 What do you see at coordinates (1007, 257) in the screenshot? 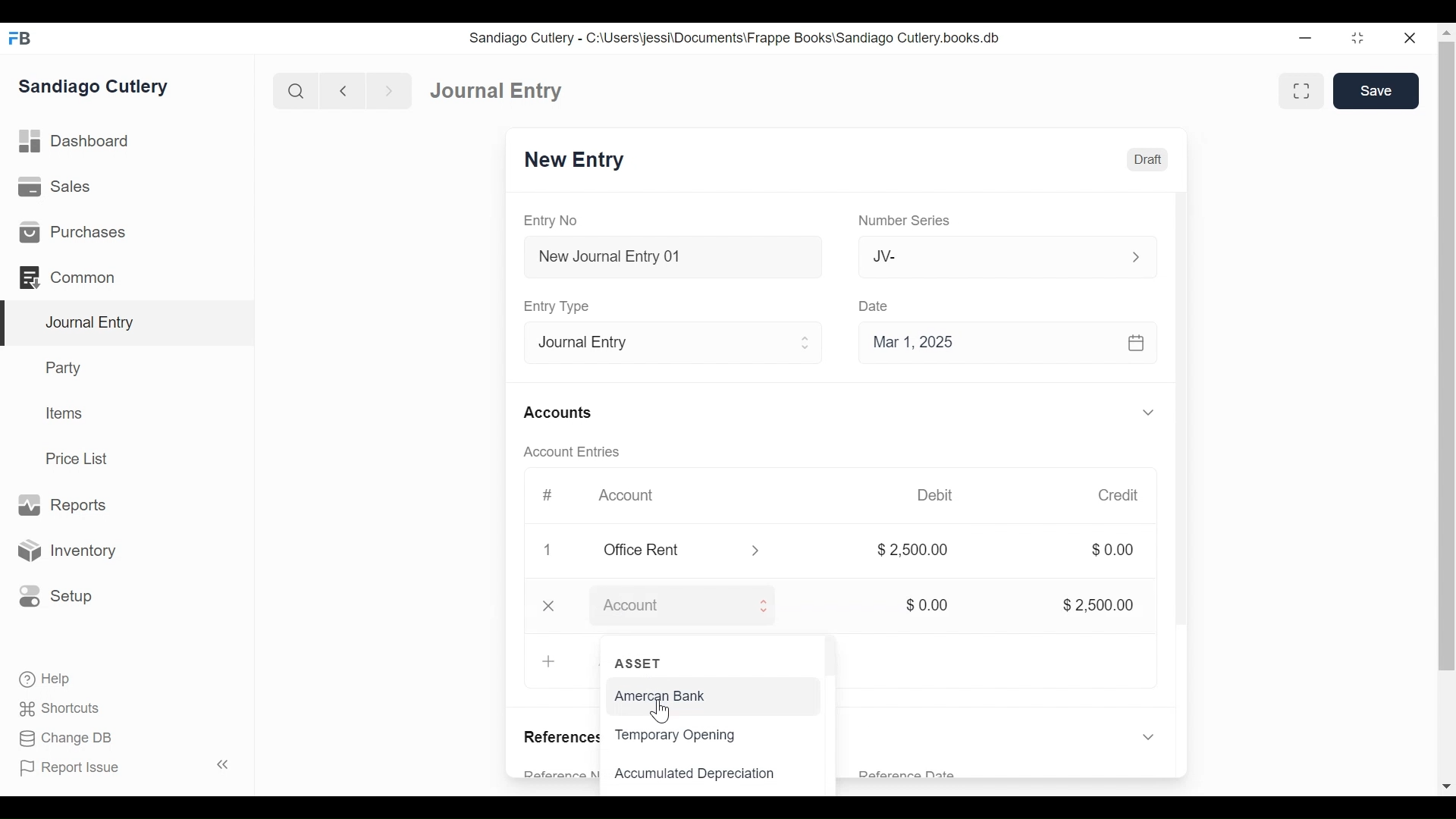
I see `Jv-` at bounding box center [1007, 257].